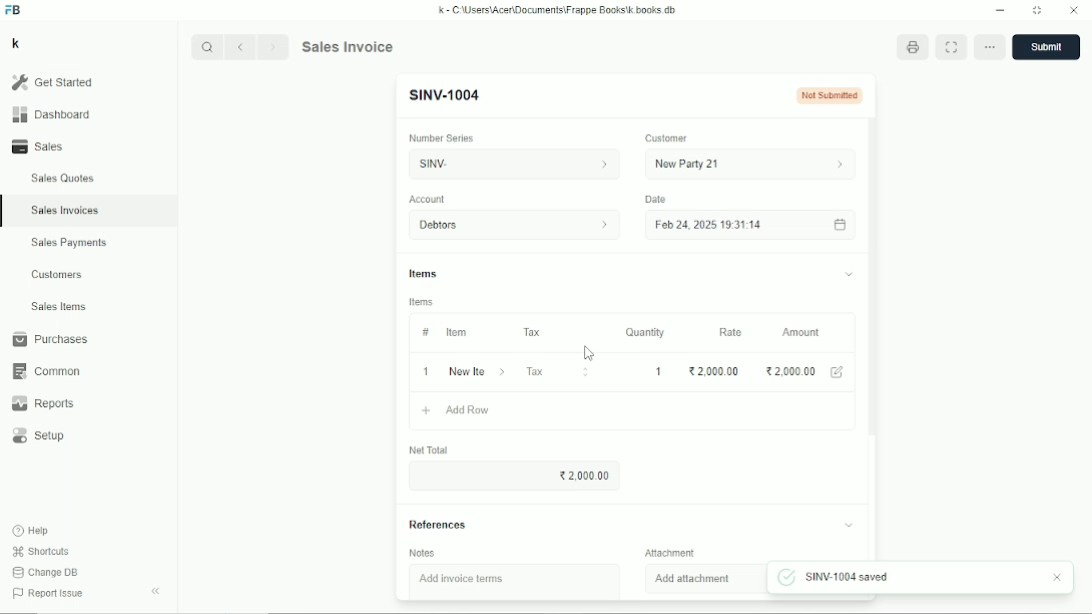 This screenshot has height=614, width=1092. Describe the element at coordinates (51, 82) in the screenshot. I see `Get started` at that location.